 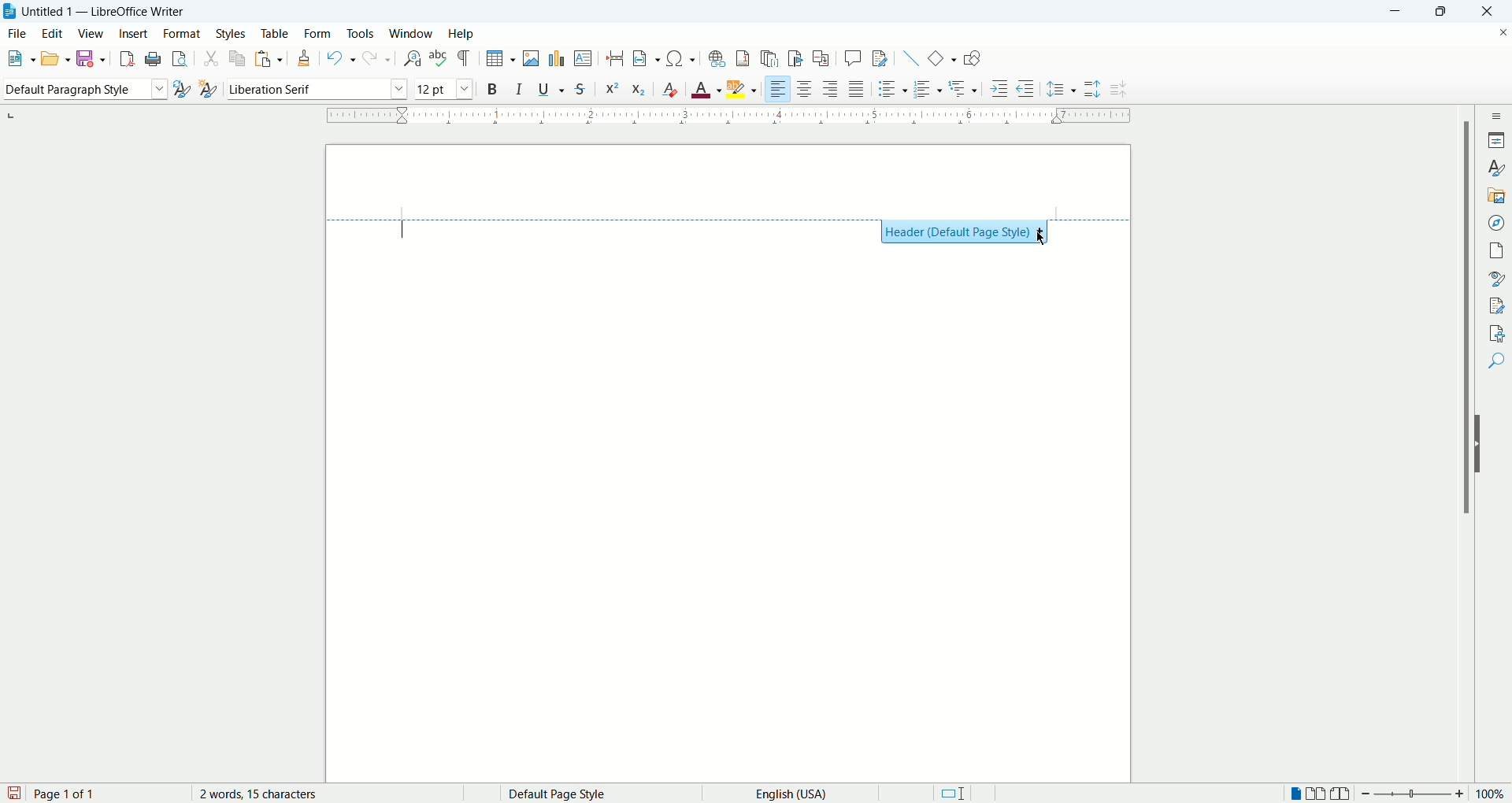 I want to click on standard selection, so click(x=952, y=793).